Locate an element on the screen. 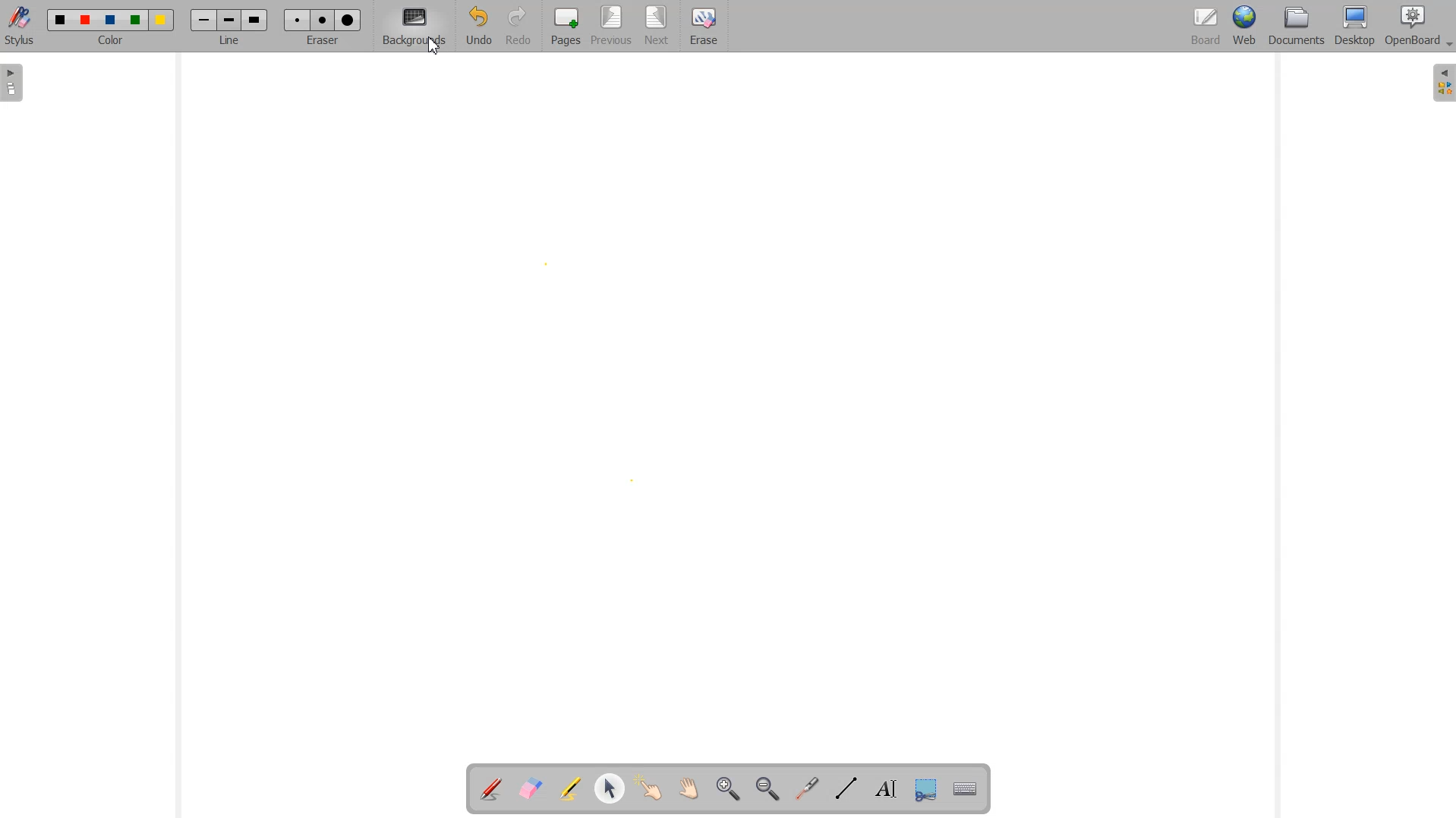 The width and height of the screenshot is (1456, 818). Pages is located at coordinates (564, 26).